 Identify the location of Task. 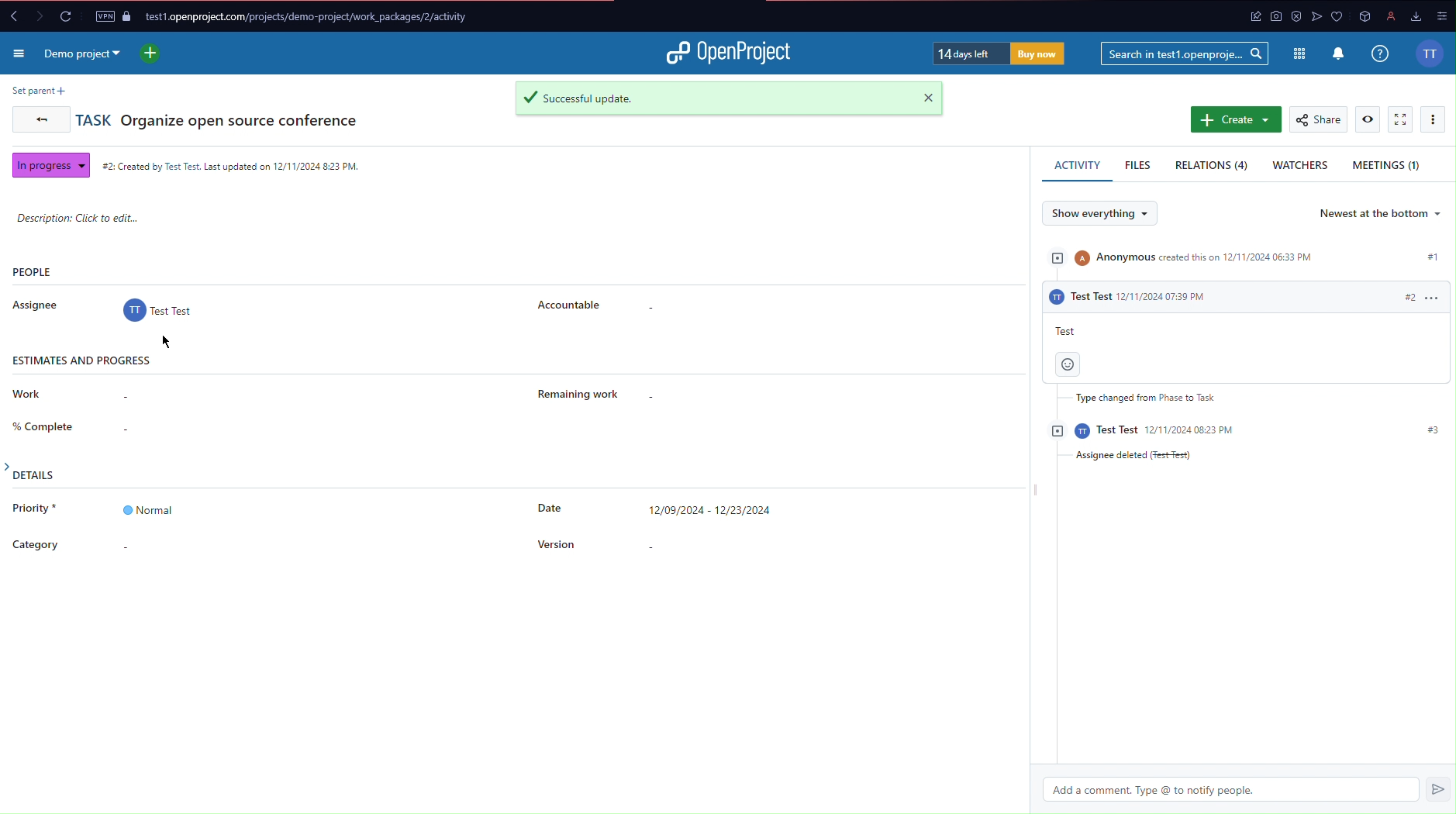
(93, 118).